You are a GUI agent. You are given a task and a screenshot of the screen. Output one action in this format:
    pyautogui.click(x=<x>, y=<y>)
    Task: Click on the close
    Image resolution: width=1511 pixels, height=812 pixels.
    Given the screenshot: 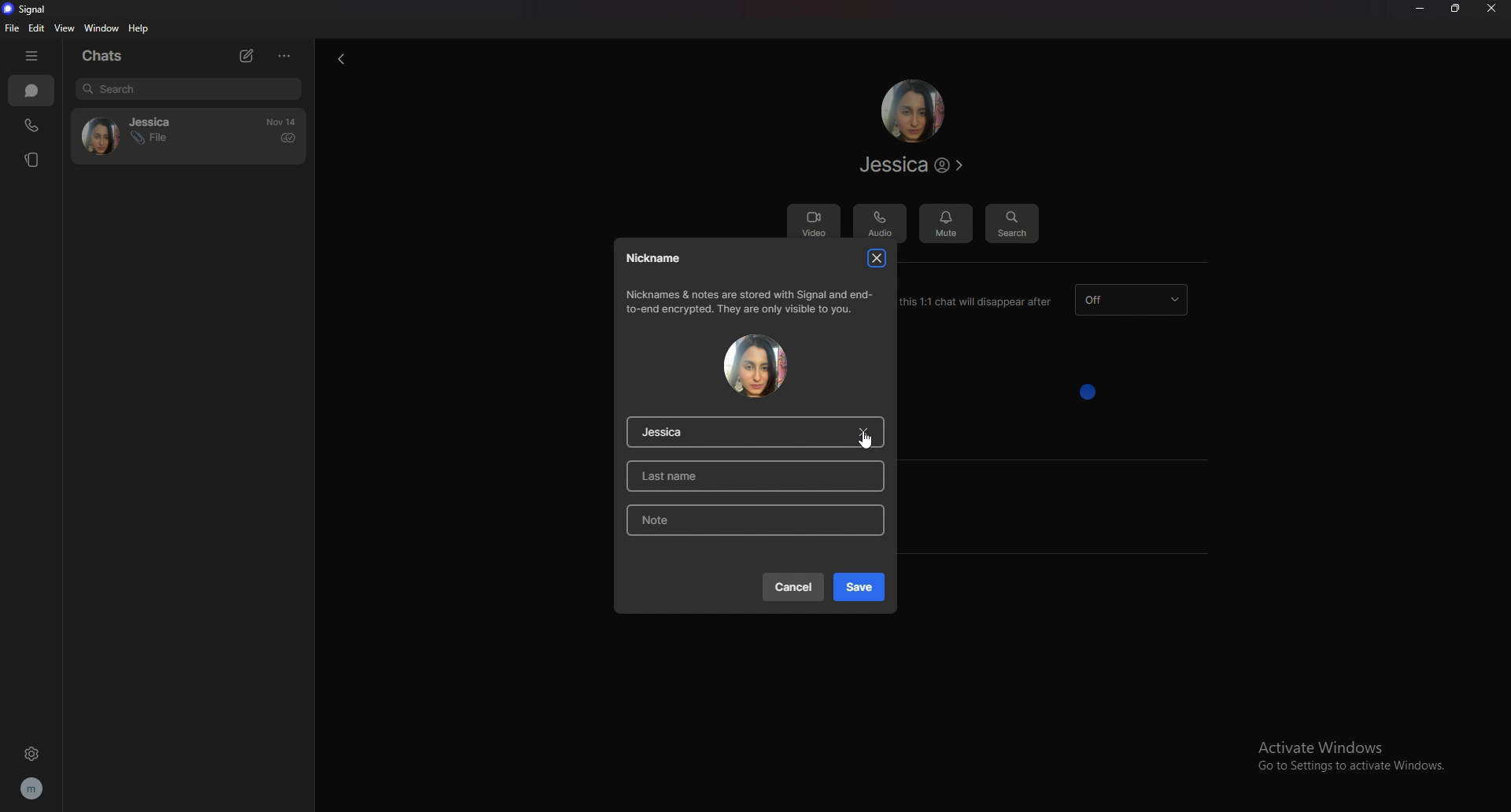 What is the action you would take?
    pyautogui.click(x=880, y=257)
    